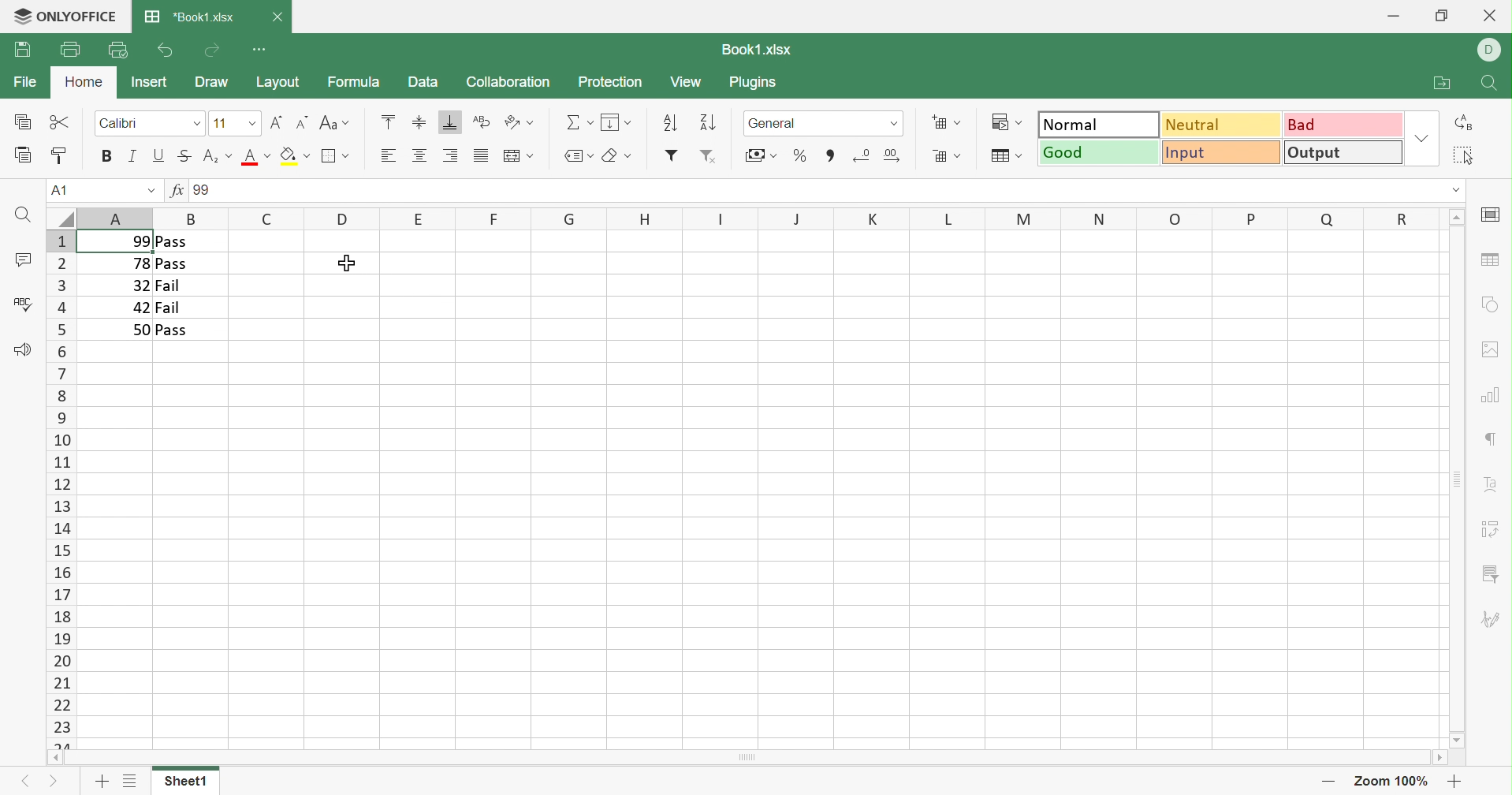 This screenshot has height=795, width=1512. What do you see at coordinates (1464, 155) in the screenshot?
I see `Select all` at bounding box center [1464, 155].